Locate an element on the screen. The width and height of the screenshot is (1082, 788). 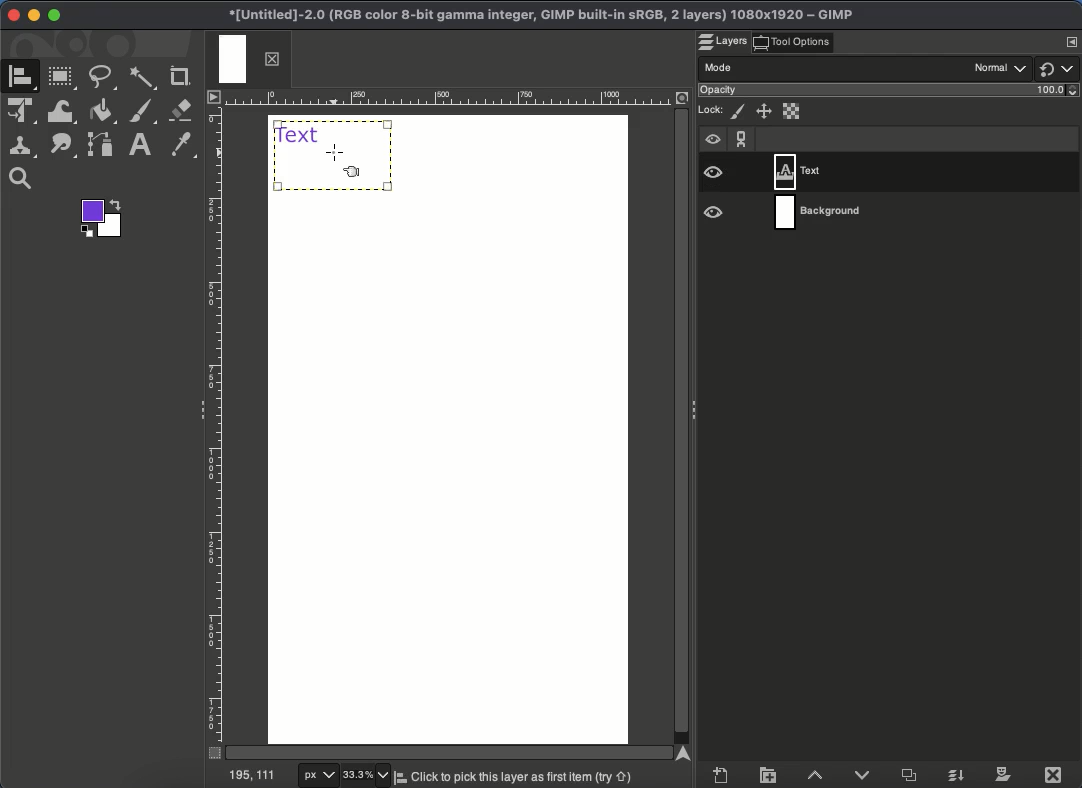
Tool options is located at coordinates (793, 41).